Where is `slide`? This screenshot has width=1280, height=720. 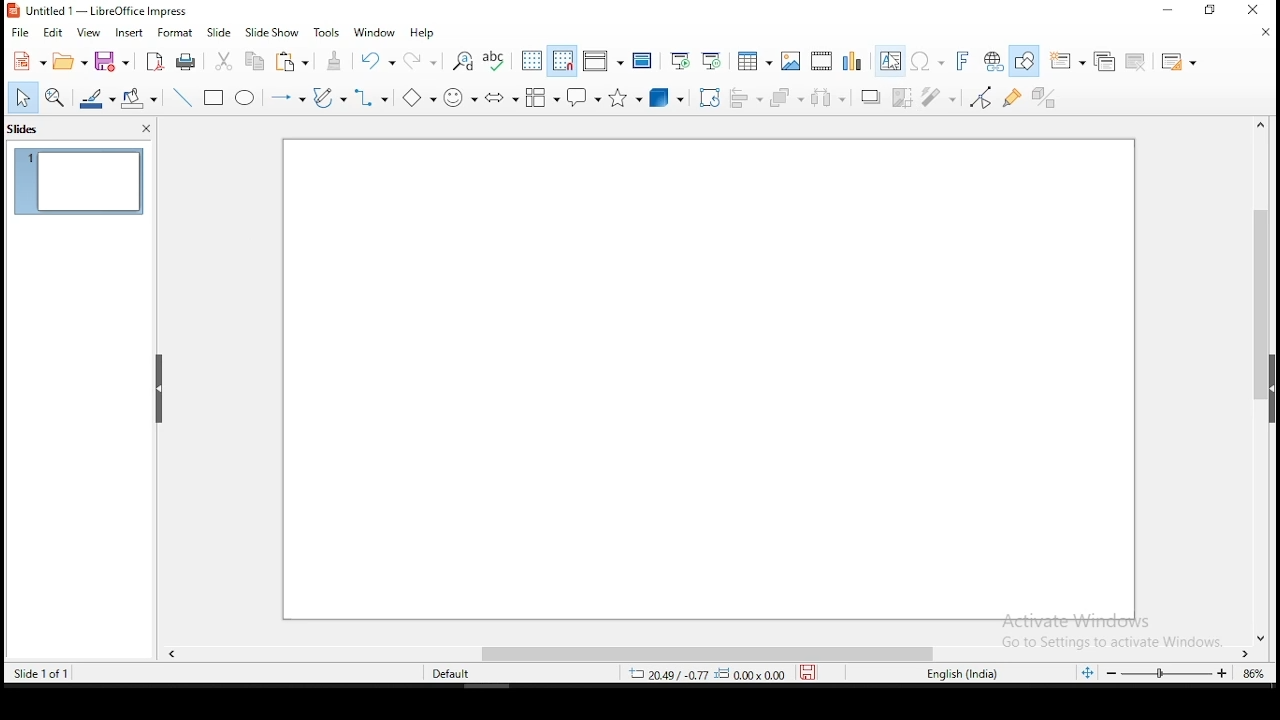 slide is located at coordinates (708, 379).